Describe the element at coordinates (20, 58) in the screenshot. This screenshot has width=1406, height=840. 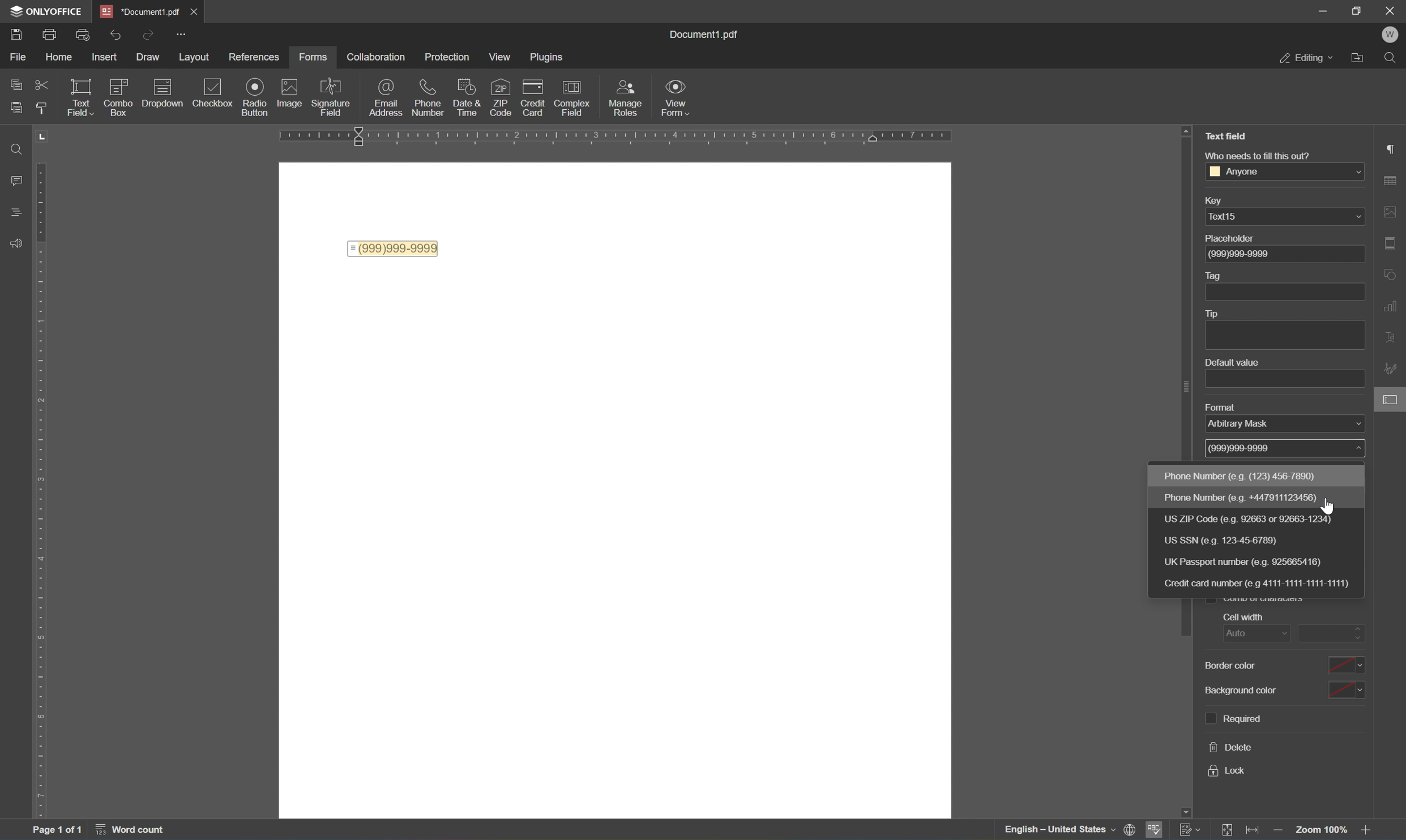
I see `file` at that location.